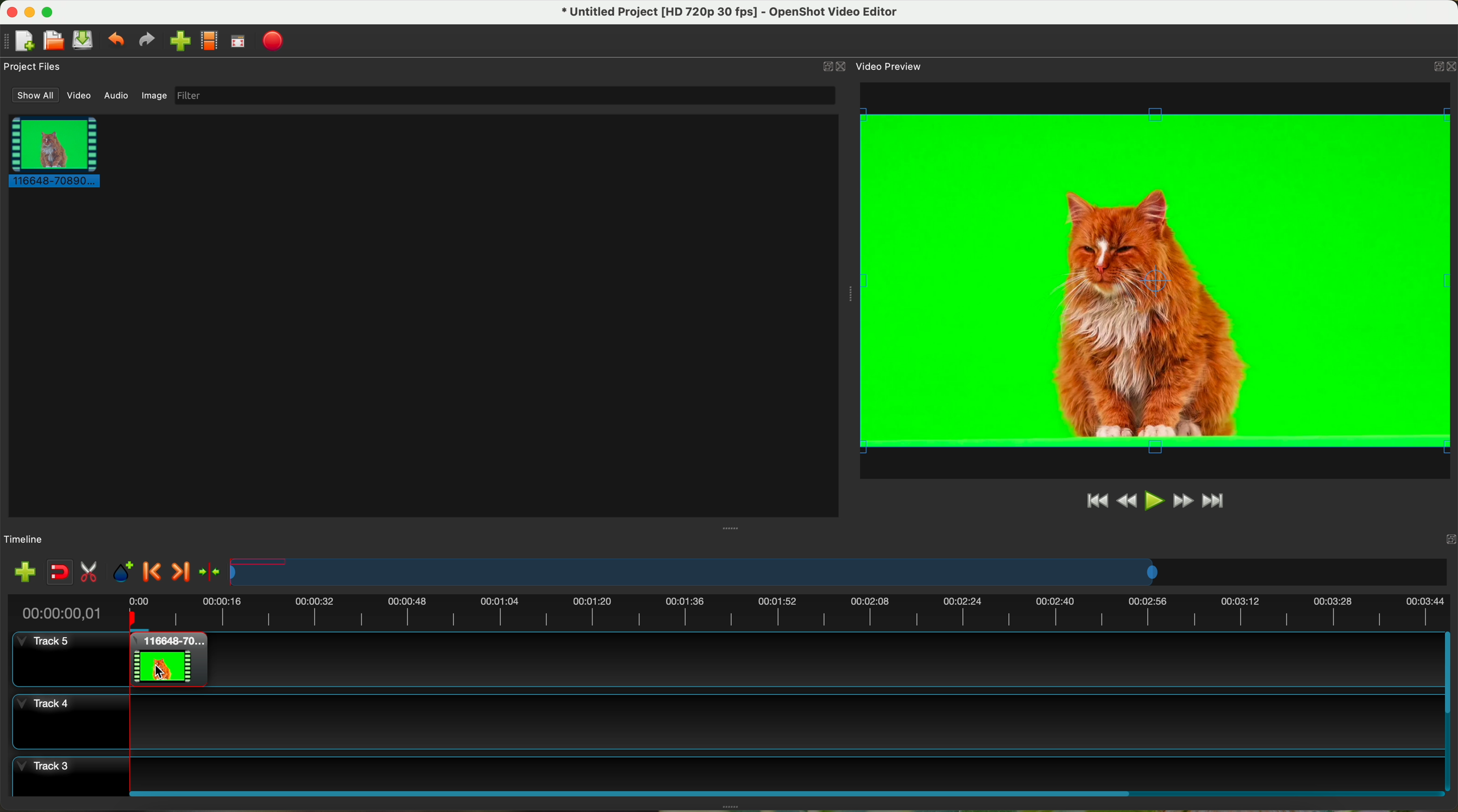  What do you see at coordinates (725, 721) in the screenshot?
I see `track 4` at bounding box center [725, 721].